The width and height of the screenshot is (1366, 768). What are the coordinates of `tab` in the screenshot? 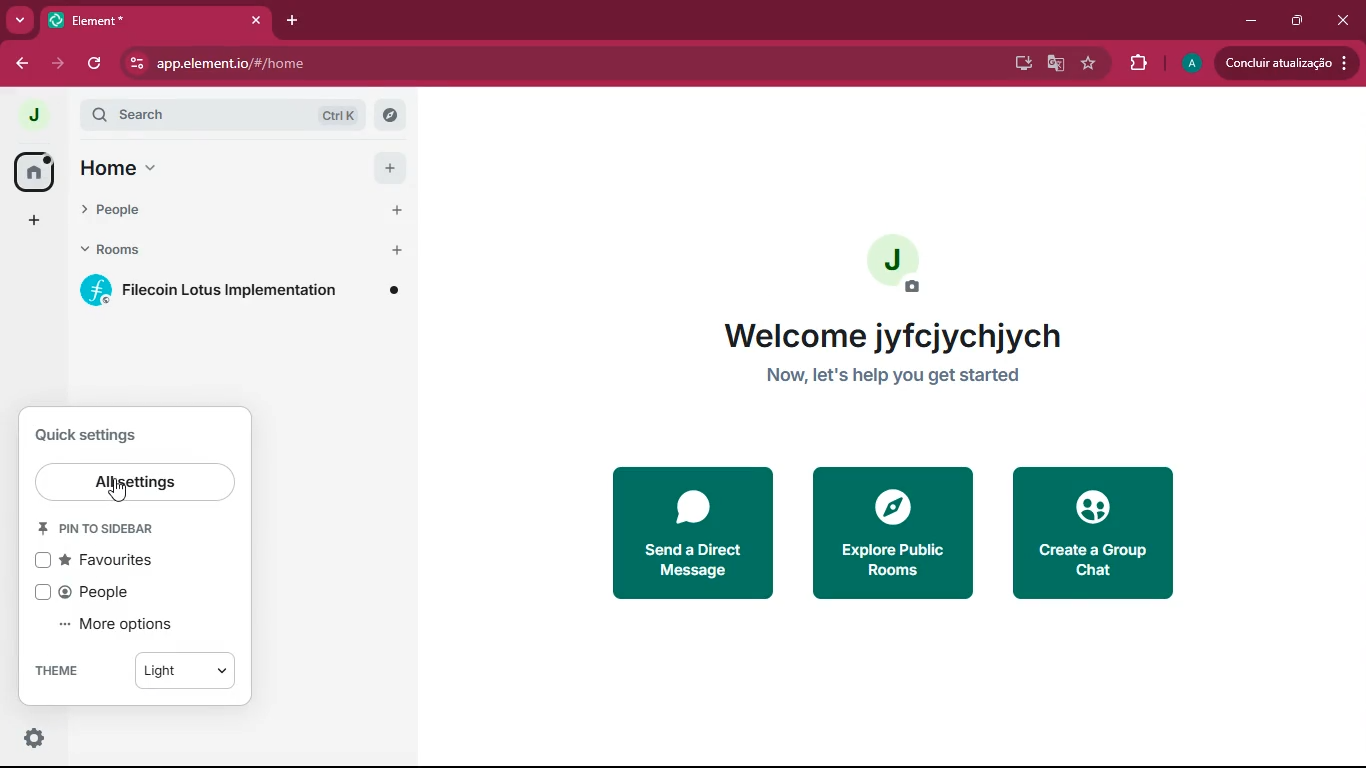 It's located at (128, 21).